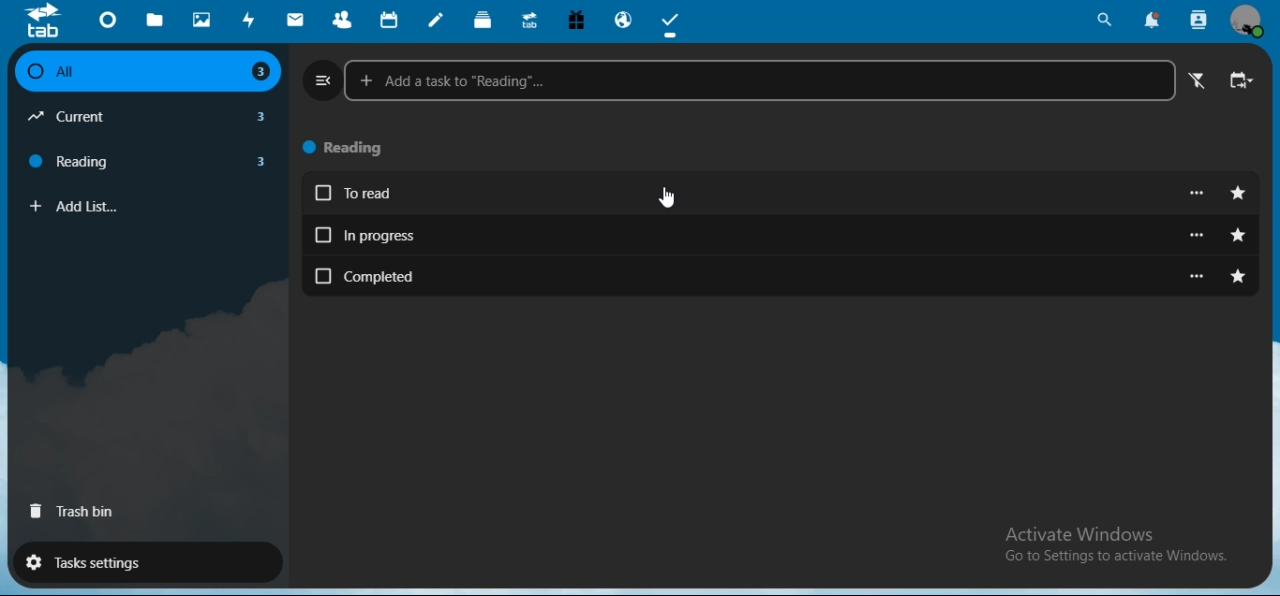 Image resolution: width=1280 pixels, height=596 pixels. Describe the element at coordinates (320, 80) in the screenshot. I see `close navigation` at that location.